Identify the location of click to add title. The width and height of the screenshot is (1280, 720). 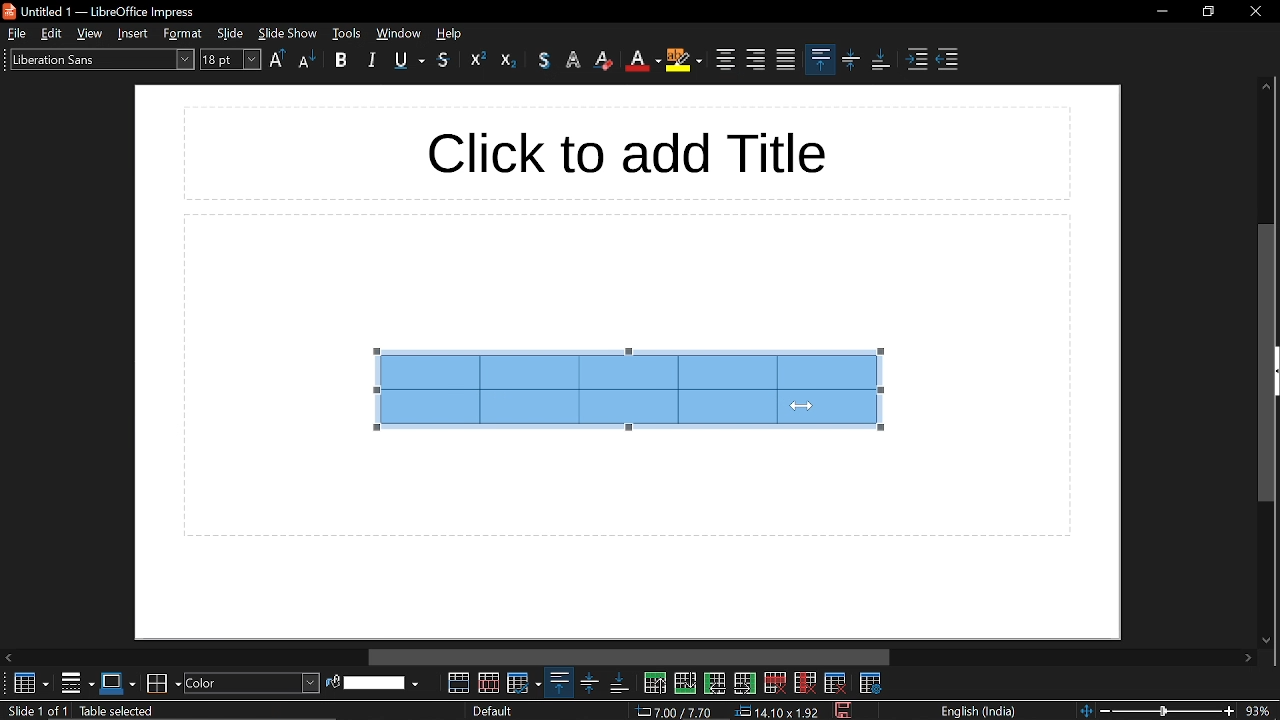
(626, 153).